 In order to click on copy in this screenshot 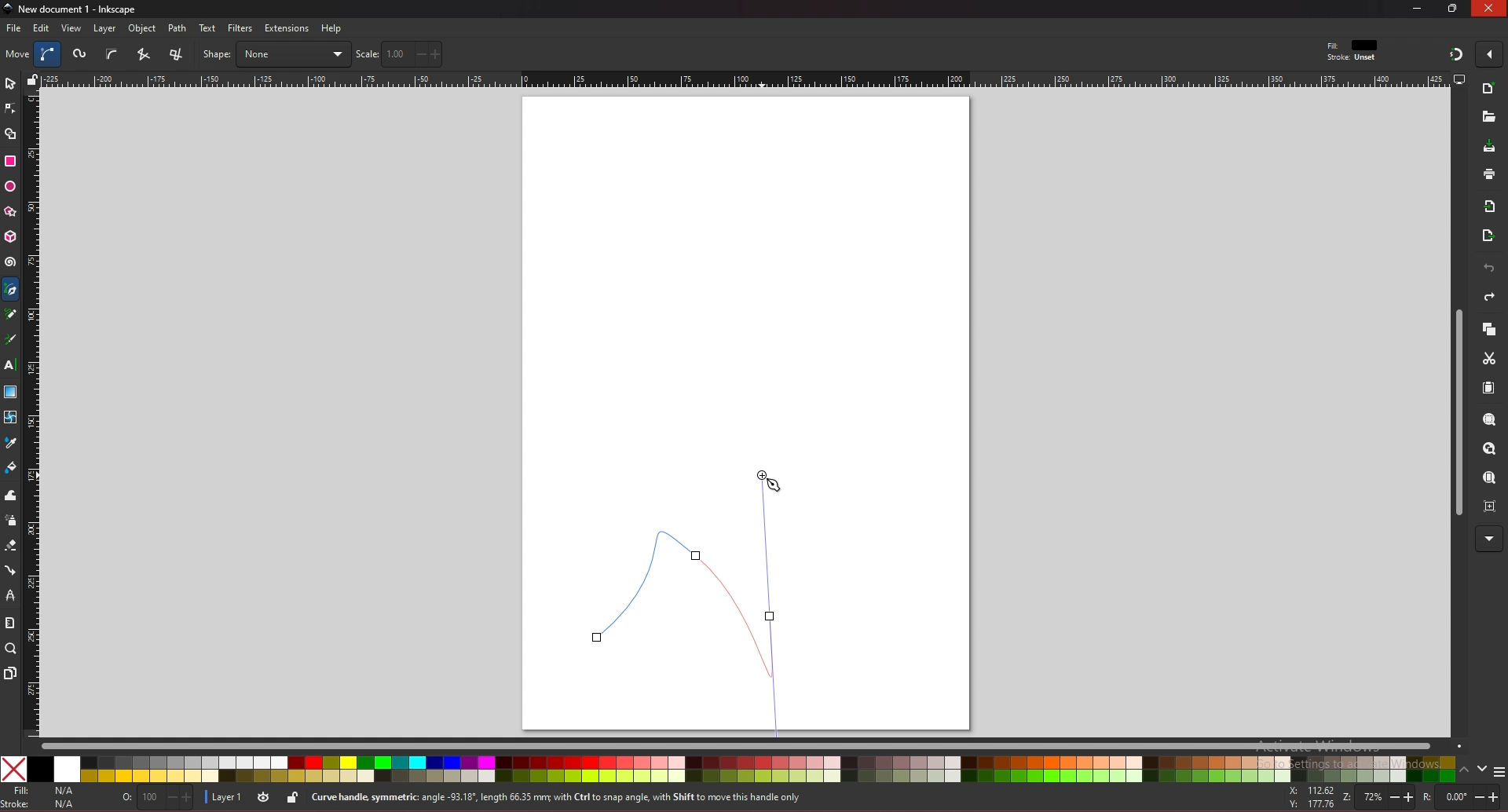, I will do `click(1488, 330)`.